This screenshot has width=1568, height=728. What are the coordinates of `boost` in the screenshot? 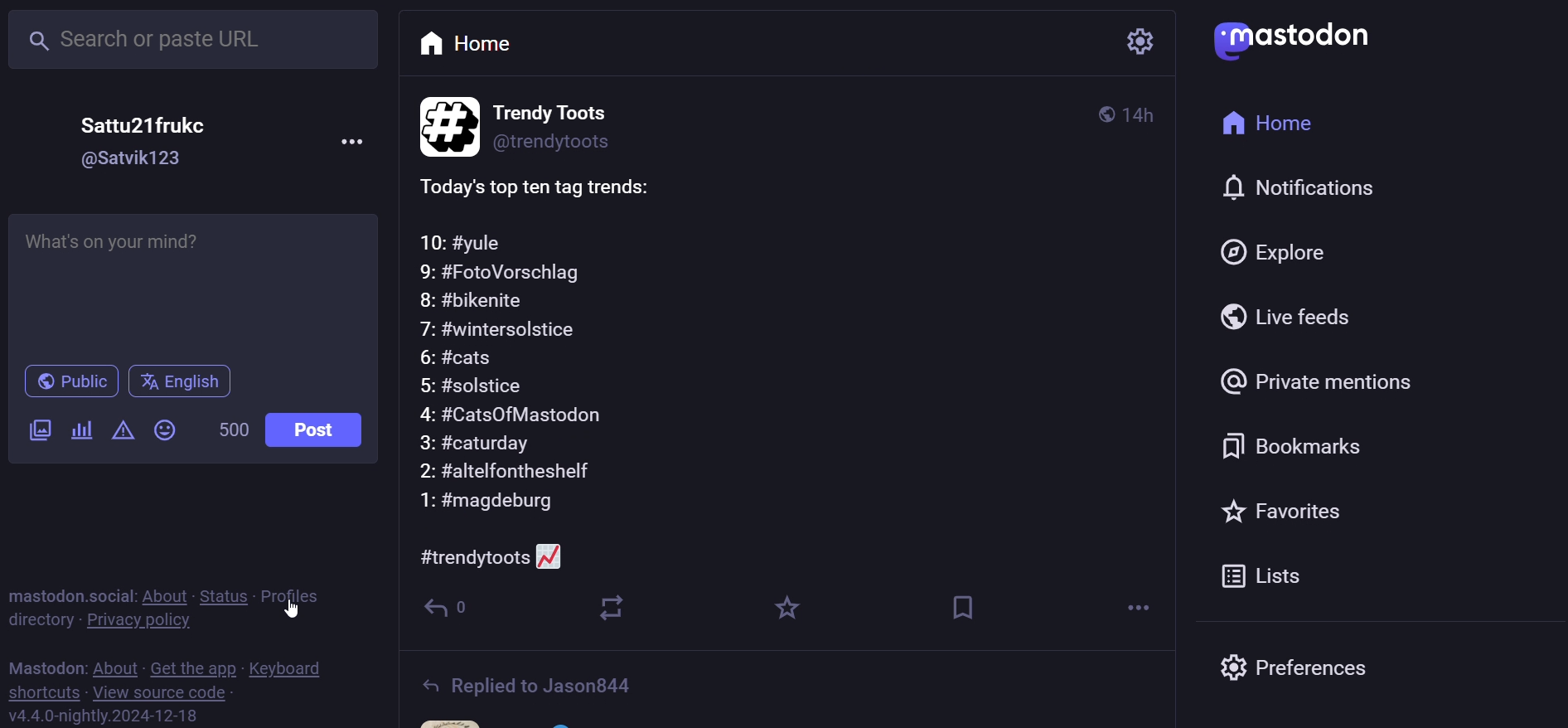 It's located at (606, 610).